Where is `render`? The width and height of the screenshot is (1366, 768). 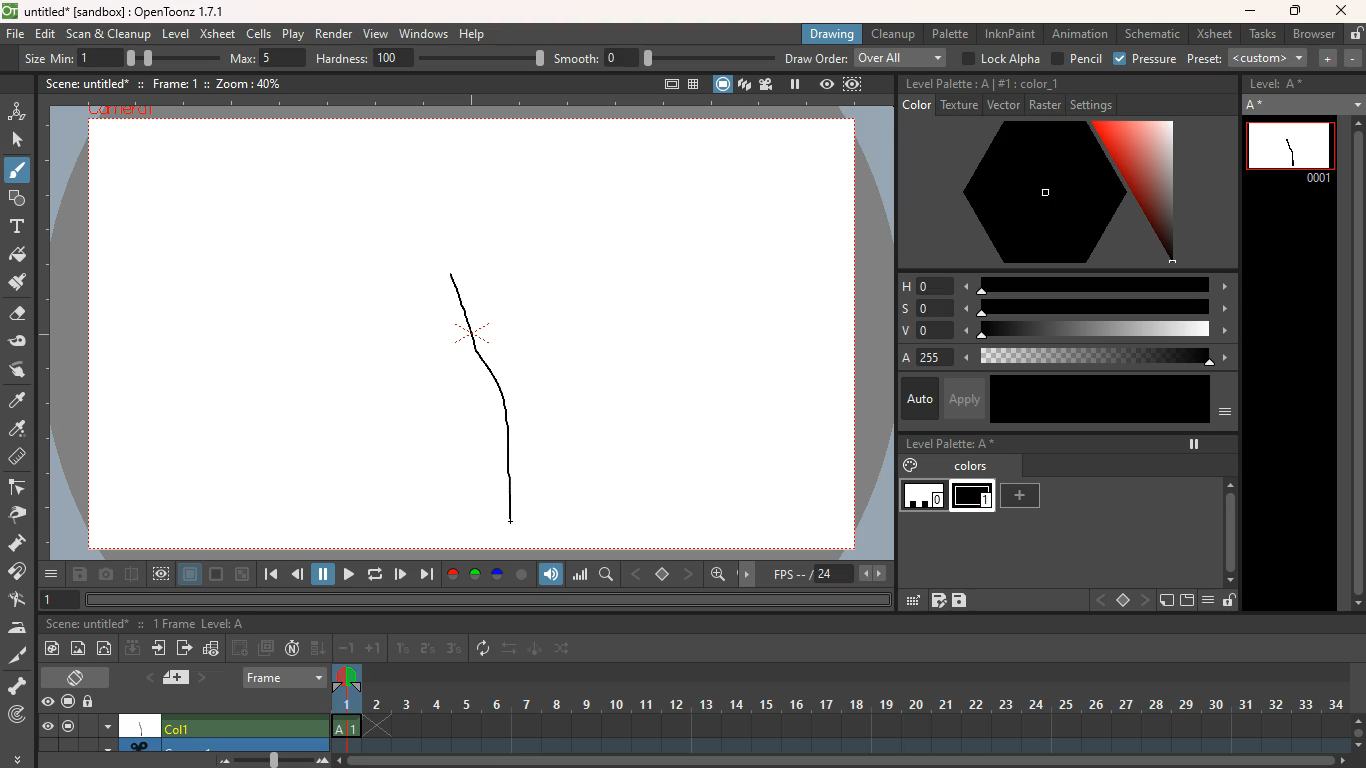
render is located at coordinates (332, 35).